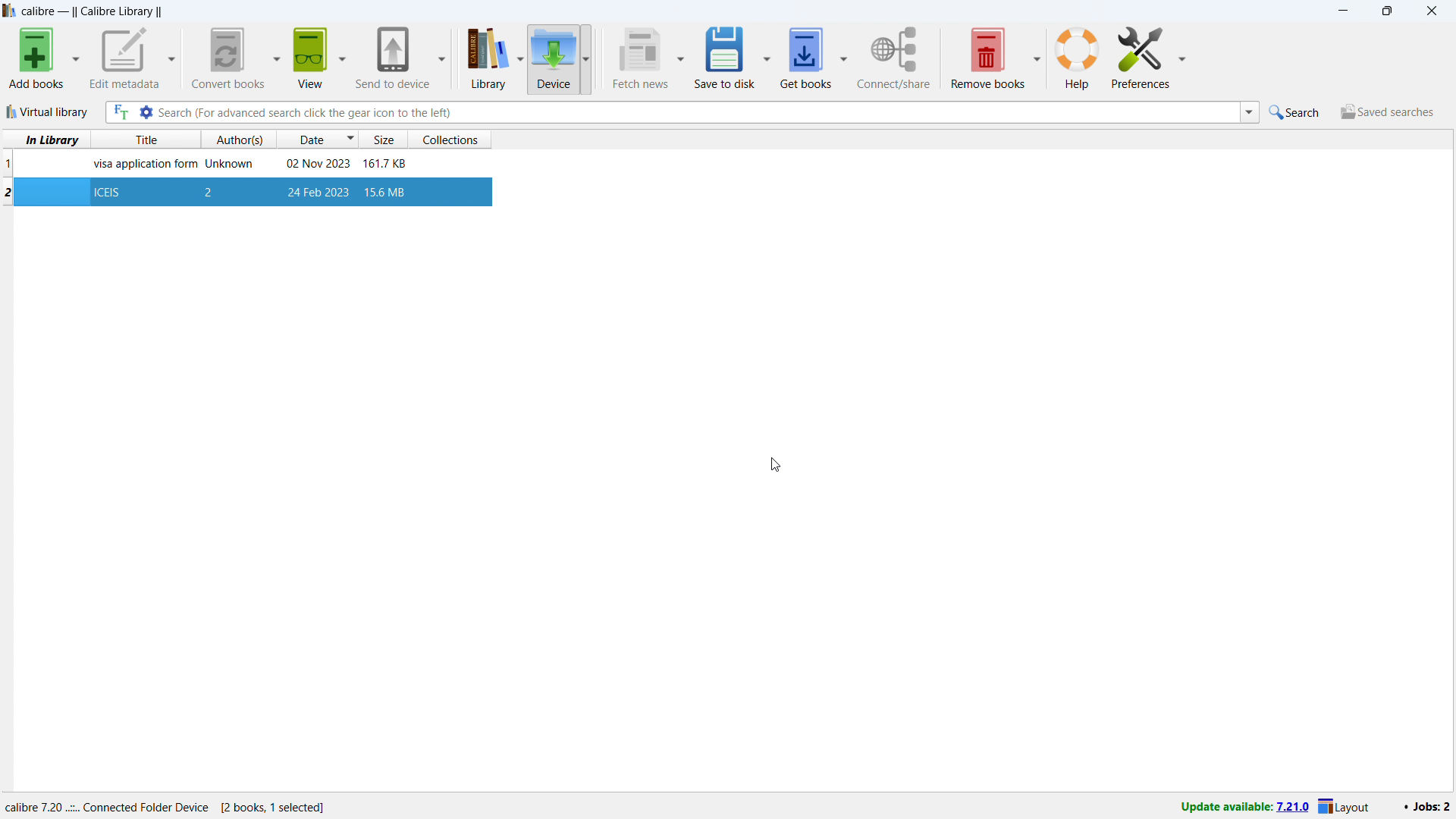 The image size is (1456, 819). Describe the element at coordinates (639, 58) in the screenshot. I see `fetch news` at that location.